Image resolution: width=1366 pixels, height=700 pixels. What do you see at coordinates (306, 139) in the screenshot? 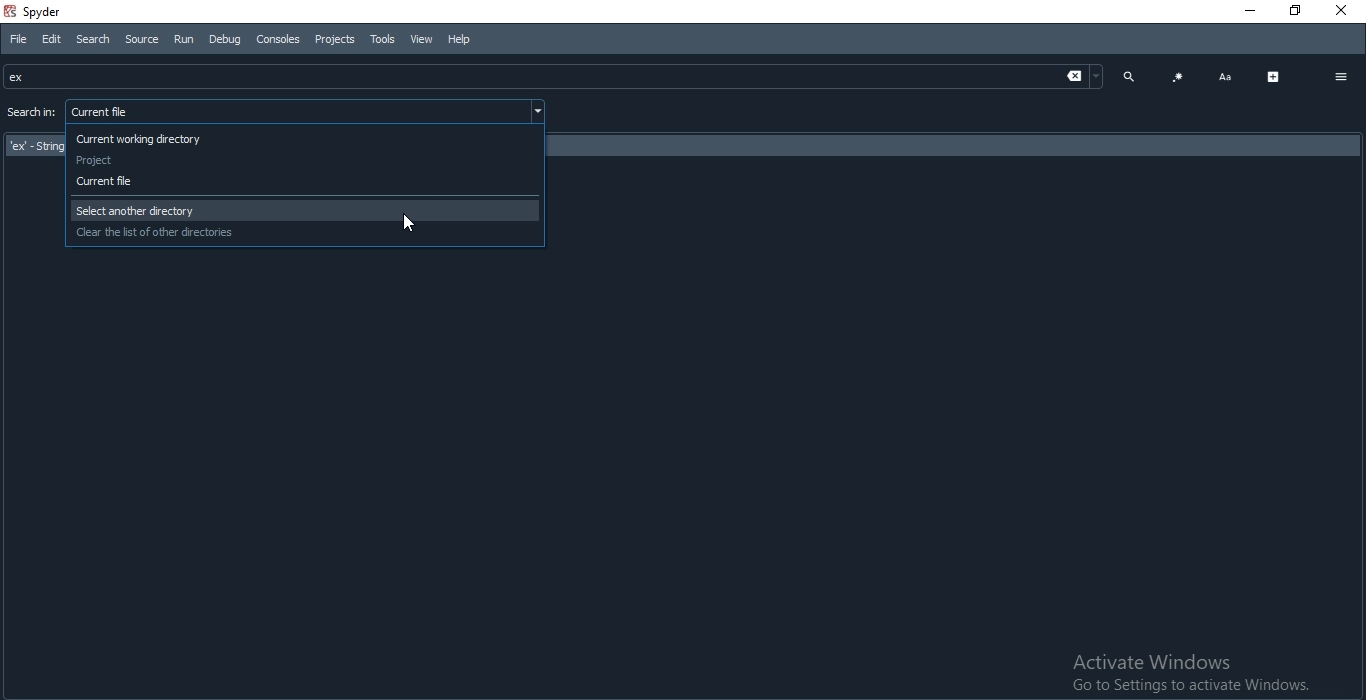
I see `current working directory` at bounding box center [306, 139].